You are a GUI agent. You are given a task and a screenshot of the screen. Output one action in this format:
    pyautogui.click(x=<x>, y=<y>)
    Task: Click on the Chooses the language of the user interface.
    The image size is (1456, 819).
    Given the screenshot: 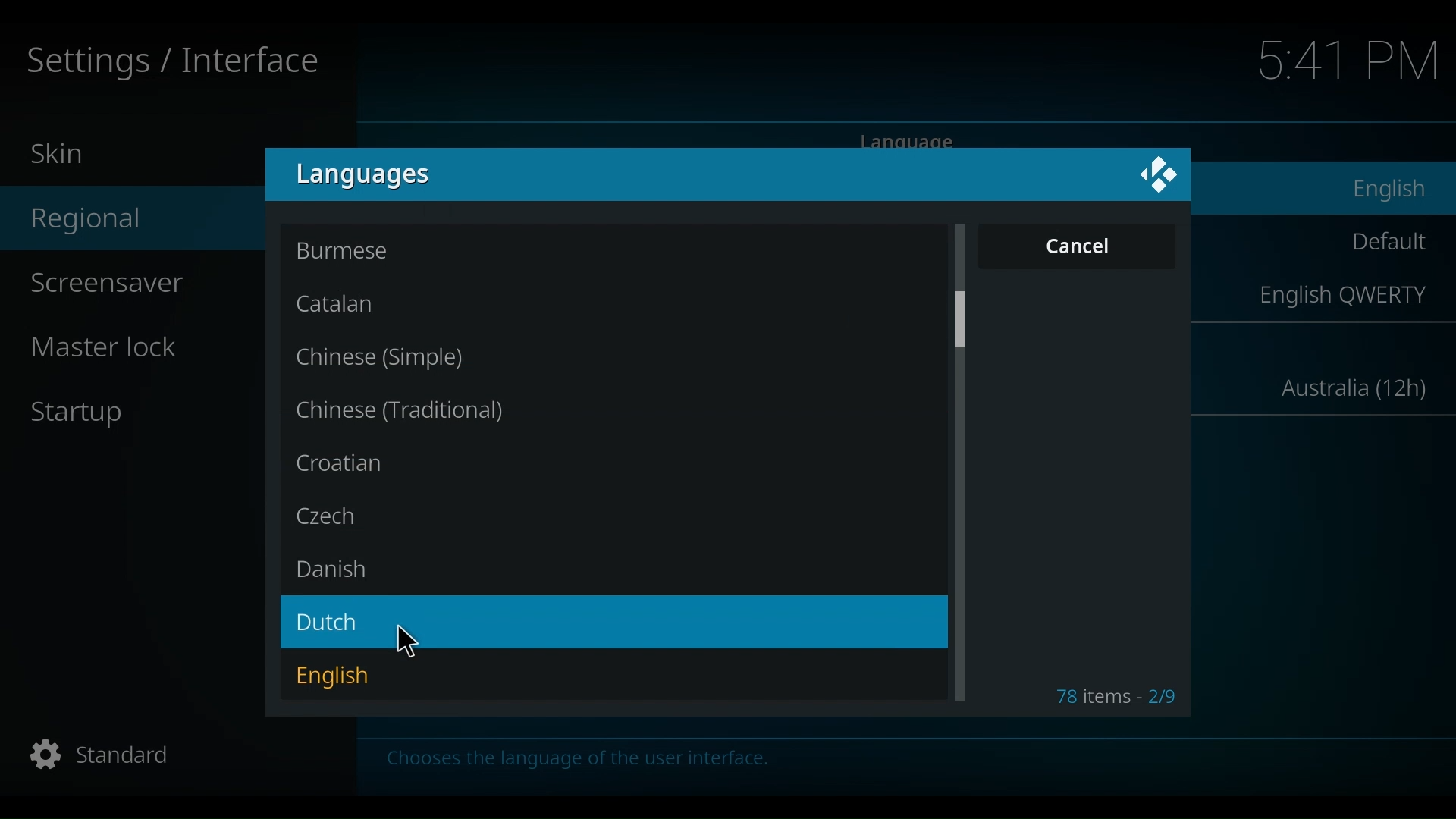 What is the action you would take?
    pyautogui.click(x=581, y=764)
    